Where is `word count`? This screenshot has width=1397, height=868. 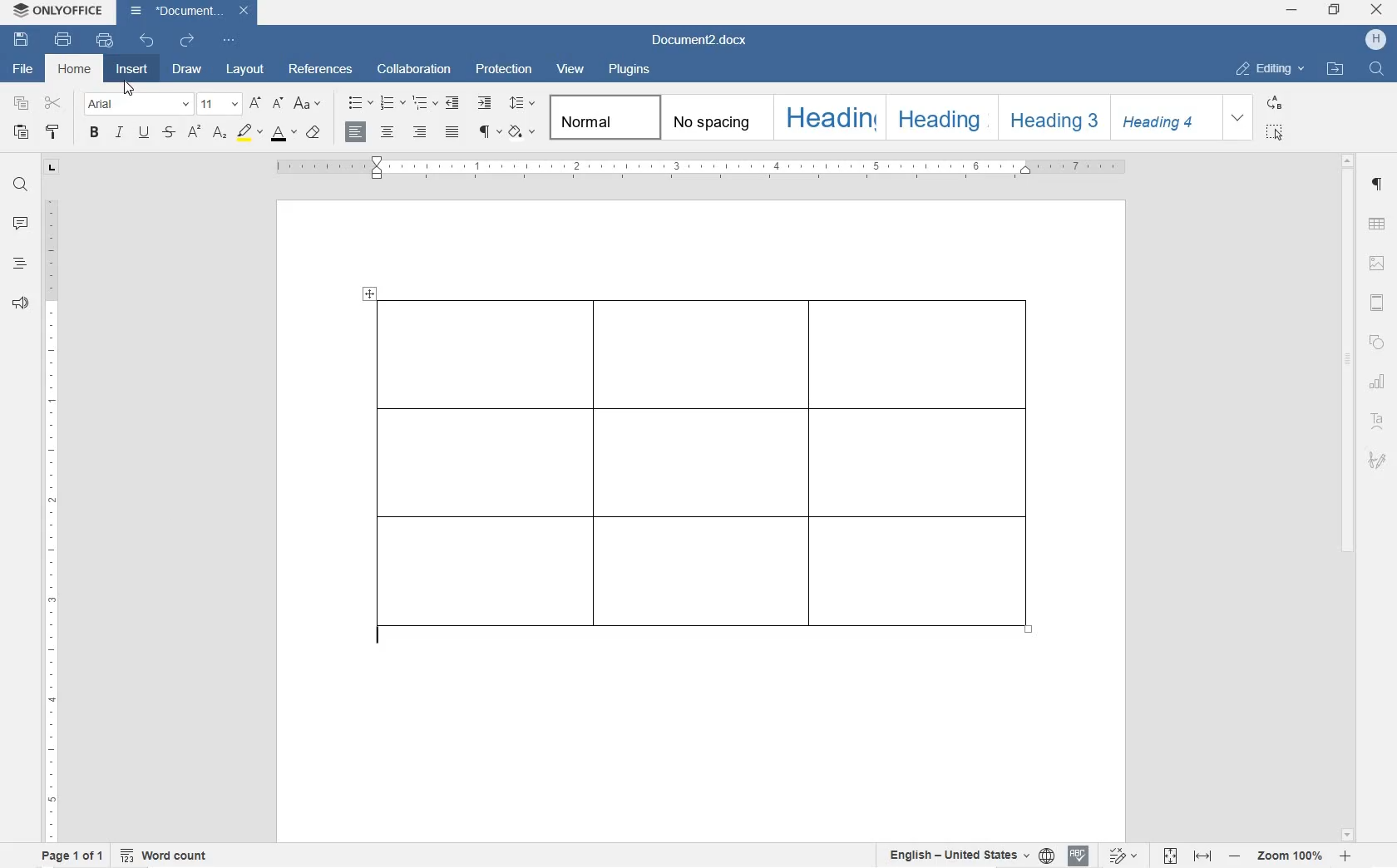
word count is located at coordinates (165, 855).